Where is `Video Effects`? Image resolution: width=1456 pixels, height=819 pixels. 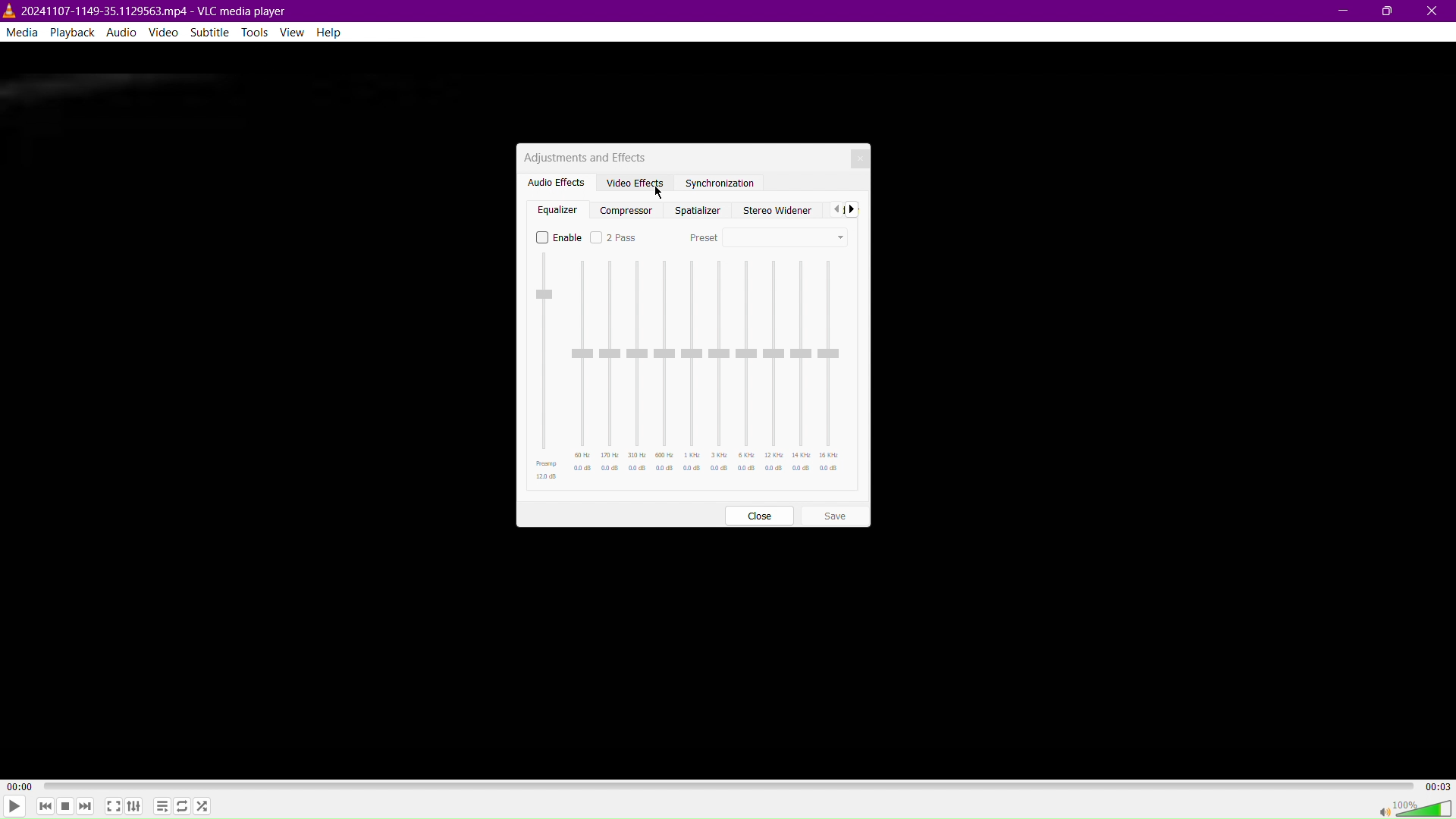
Video Effects is located at coordinates (632, 181).